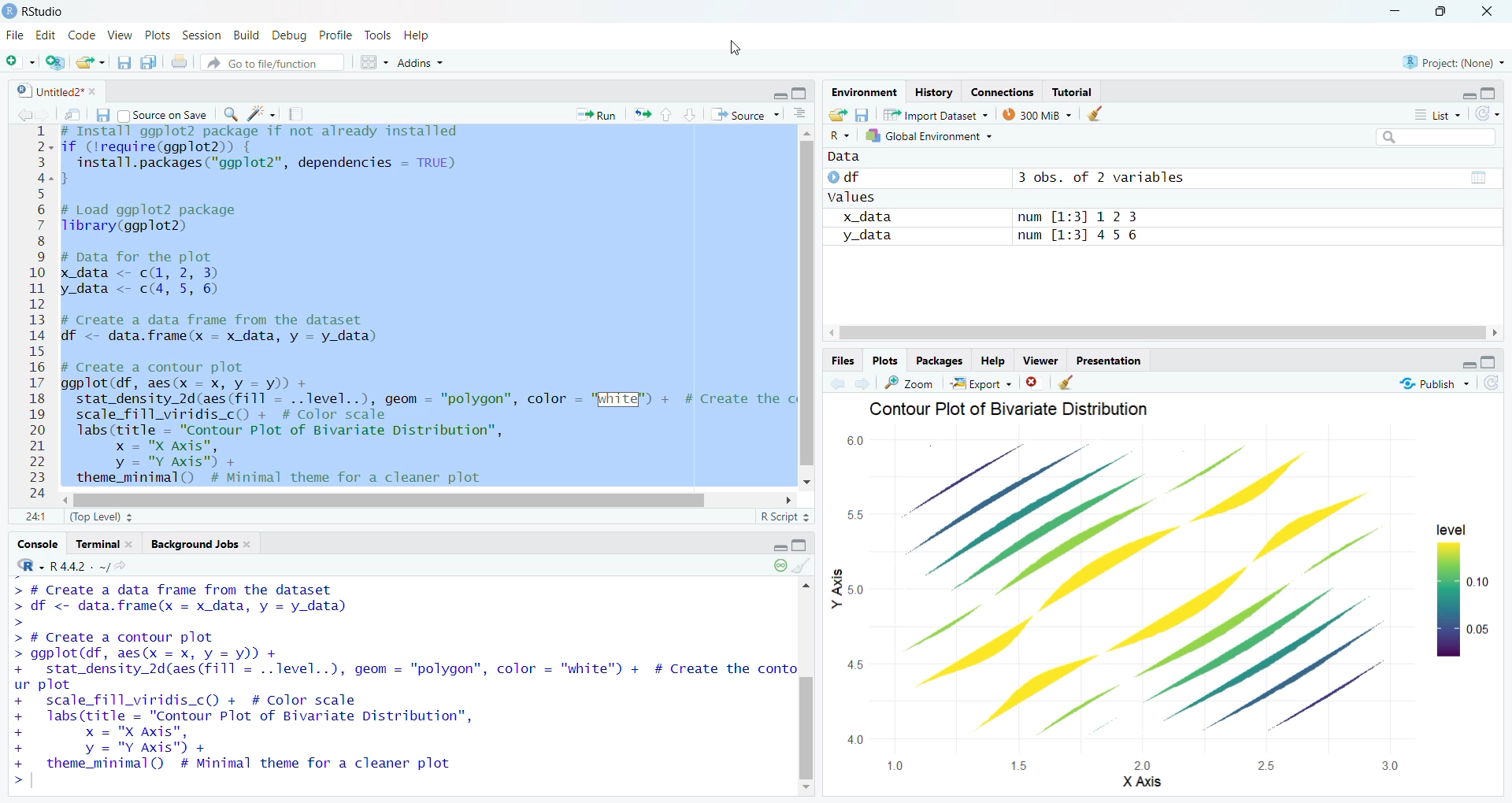 The height and width of the screenshot is (803, 1512). What do you see at coordinates (420, 63) in the screenshot?
I see `Addins ` at bounding box center [420, 63].